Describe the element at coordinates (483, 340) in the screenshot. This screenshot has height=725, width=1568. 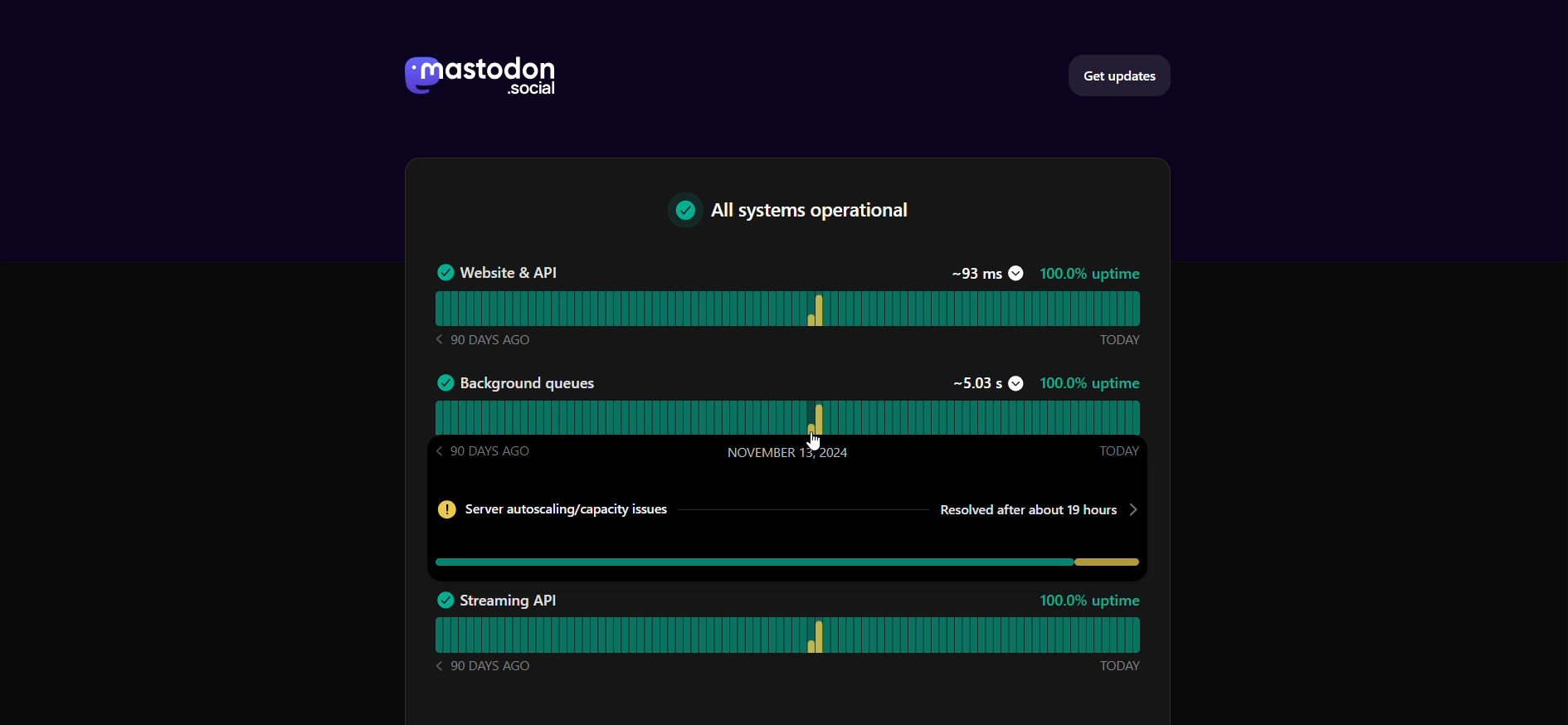
I see `90 DAYS AGO` at that location.